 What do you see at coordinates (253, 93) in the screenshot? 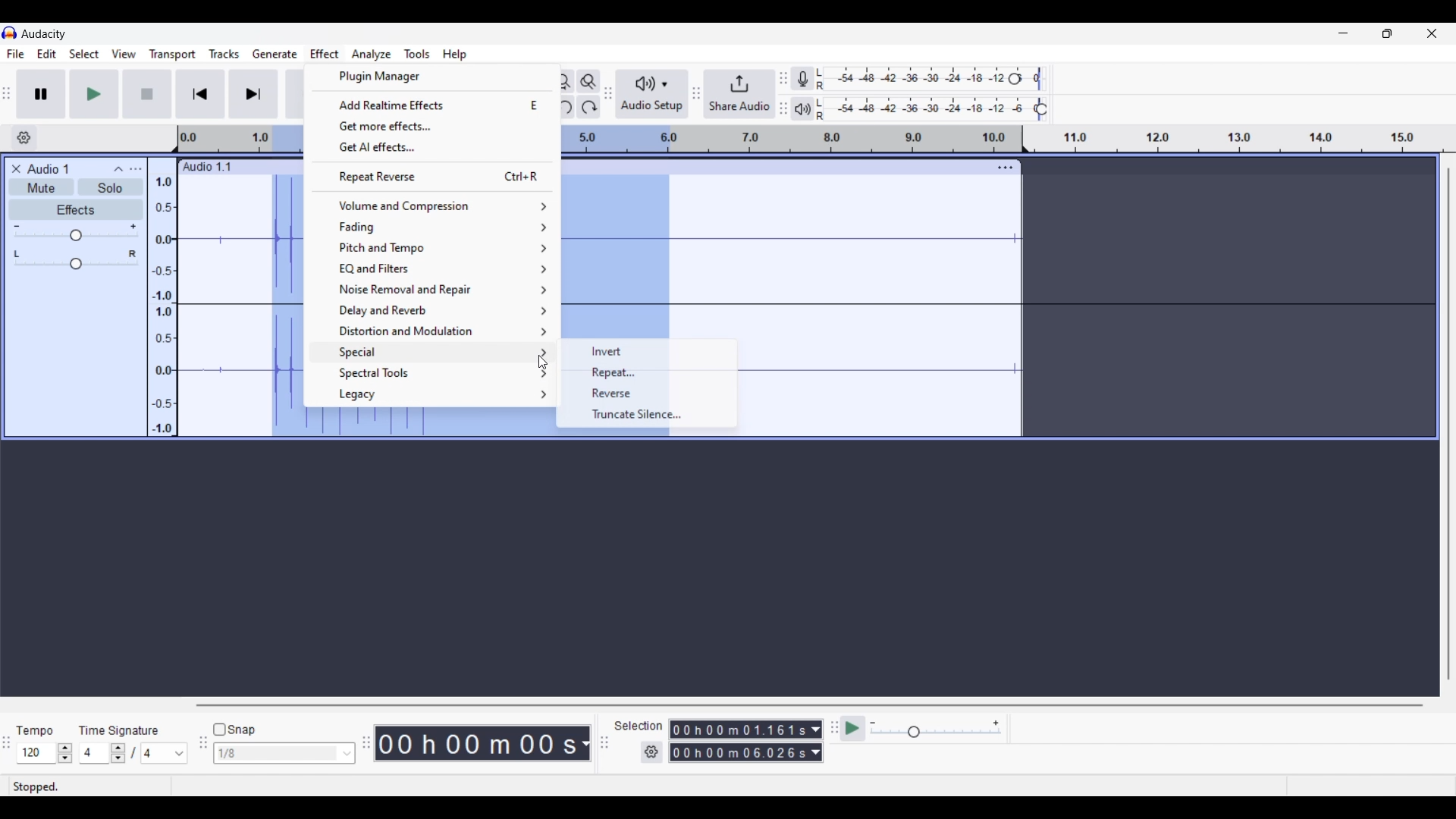
I see `Skip/Select to end` at bounding box center [253, 93].